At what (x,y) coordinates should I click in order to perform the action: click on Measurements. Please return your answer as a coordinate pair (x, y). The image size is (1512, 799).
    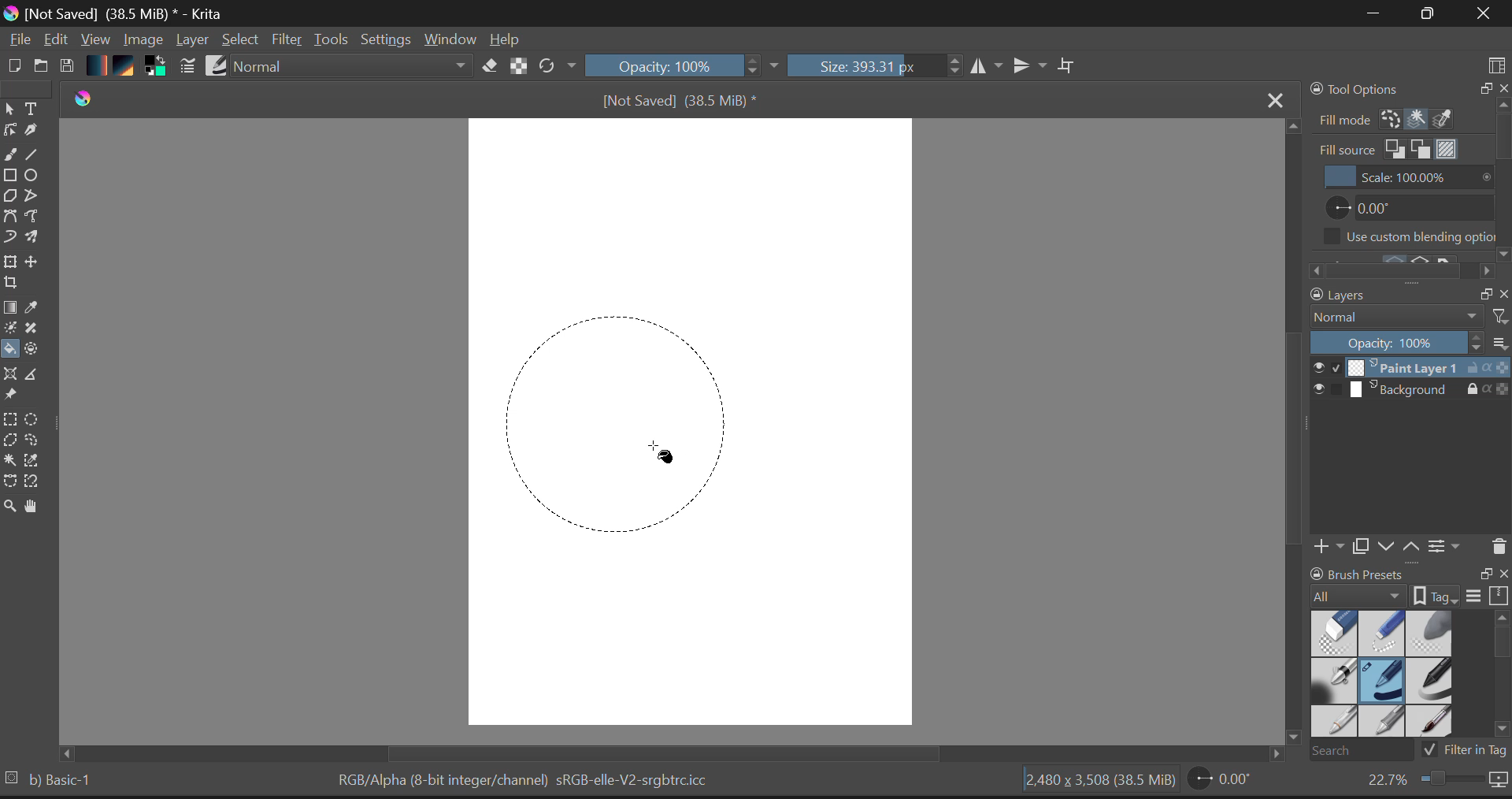
    Looking at the image, I should click on (38, 375).